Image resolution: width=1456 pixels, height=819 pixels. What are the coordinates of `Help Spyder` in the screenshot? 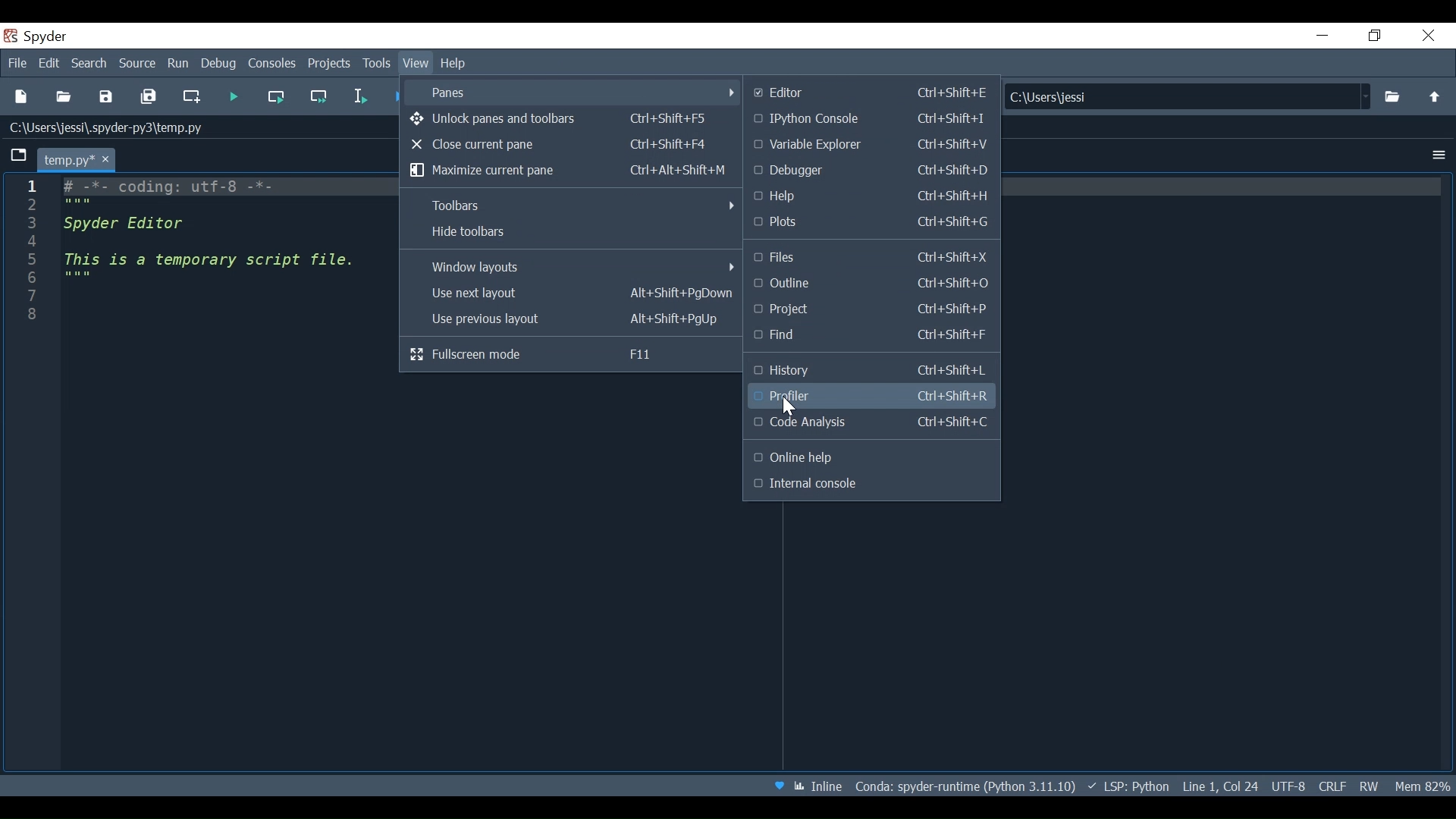 It's located at (777, 786).